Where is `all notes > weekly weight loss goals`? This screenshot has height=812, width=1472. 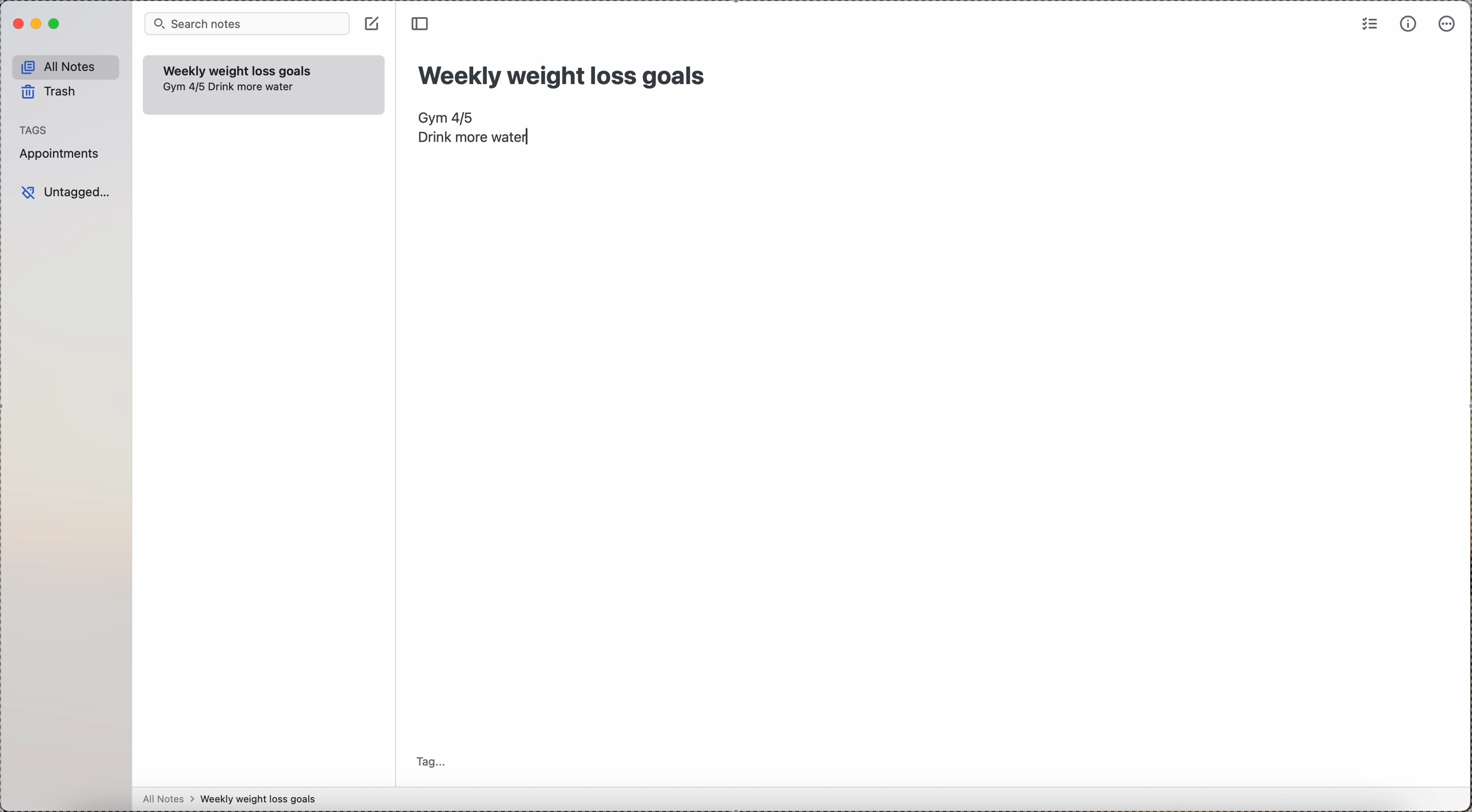
all notes > weekly weight loss goals is located at coordinates (234, 799).